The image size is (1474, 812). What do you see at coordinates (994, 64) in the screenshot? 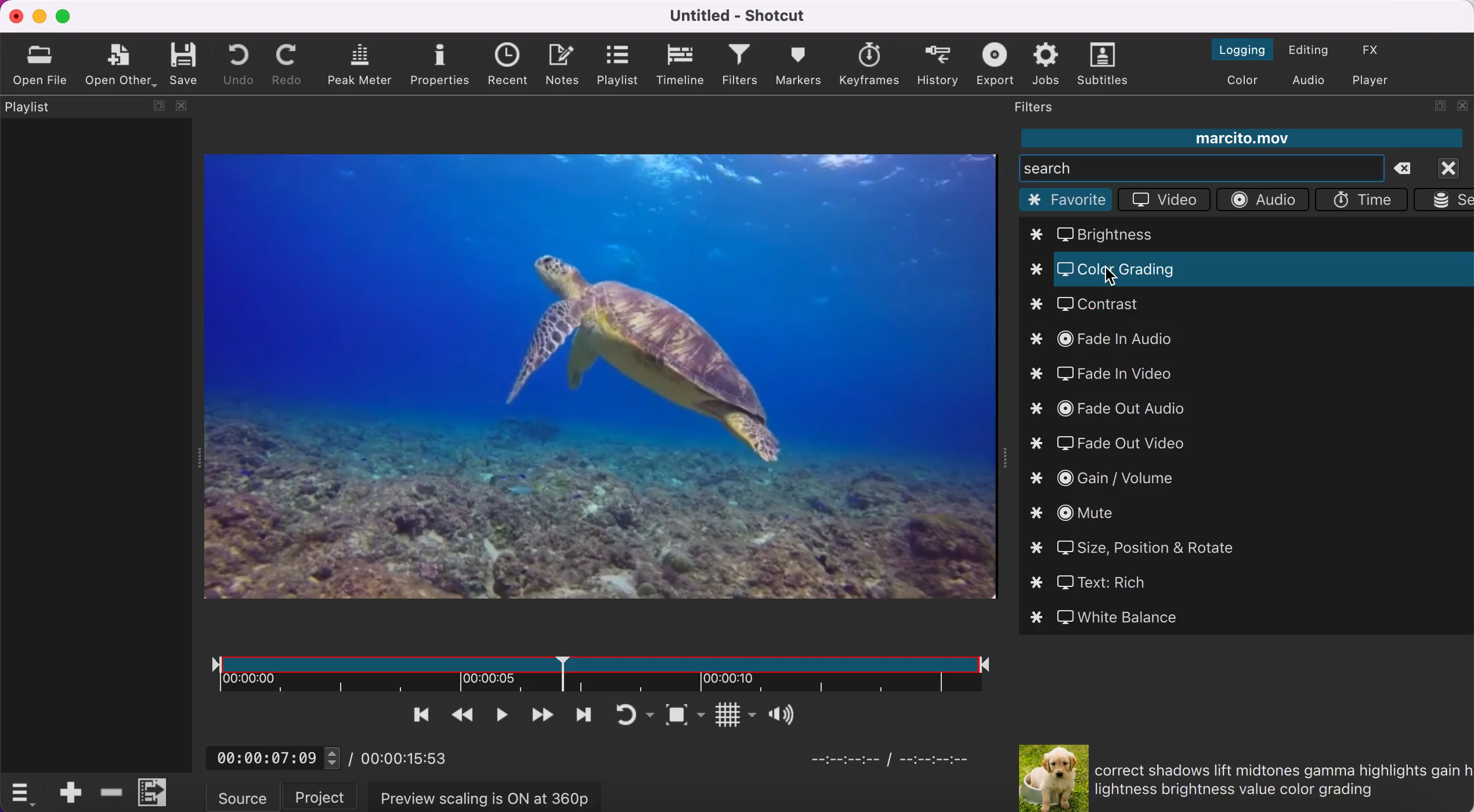
I see `export` at bounding box center [994, 64].